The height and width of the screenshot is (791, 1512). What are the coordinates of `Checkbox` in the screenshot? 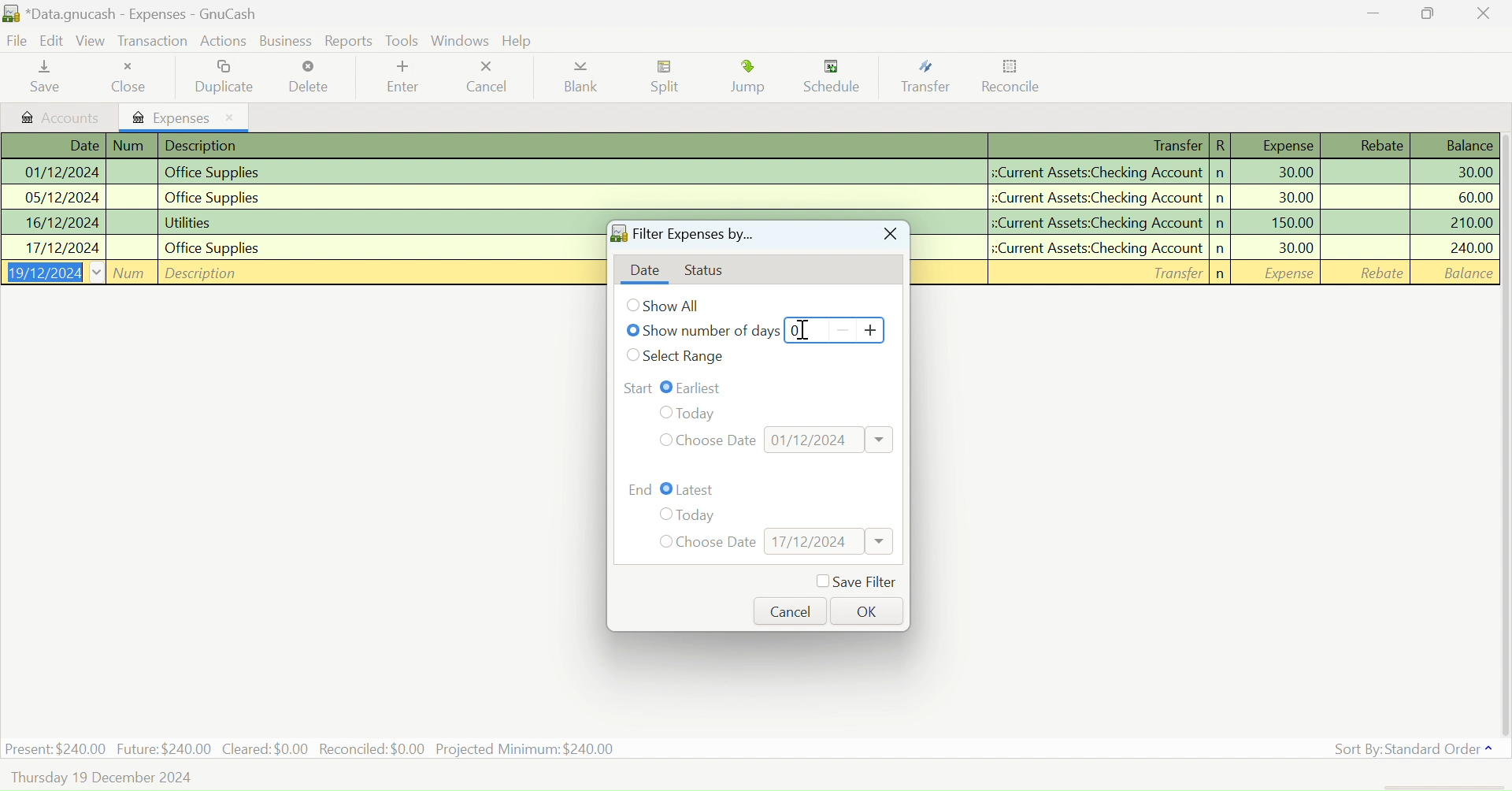 It's located at (635, 355).